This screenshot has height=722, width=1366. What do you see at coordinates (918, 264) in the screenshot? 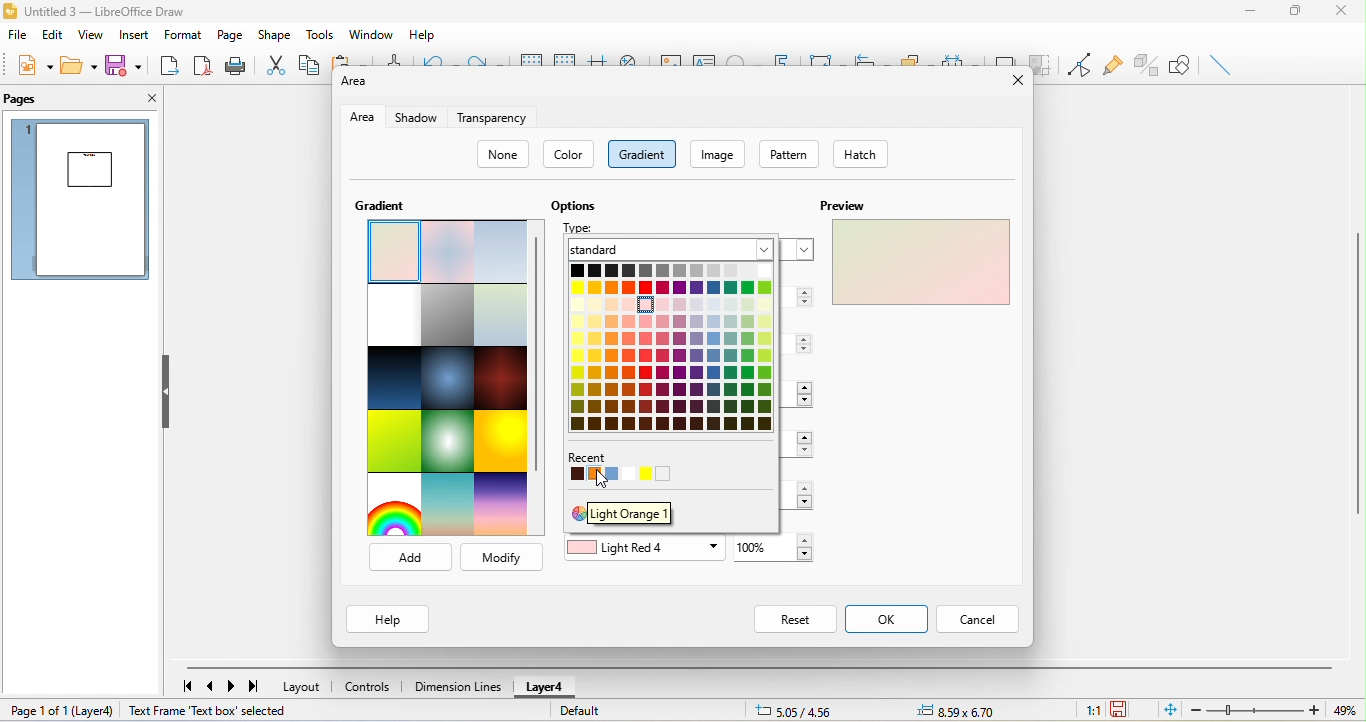
I see `preview` at bounding box center [918, 264].